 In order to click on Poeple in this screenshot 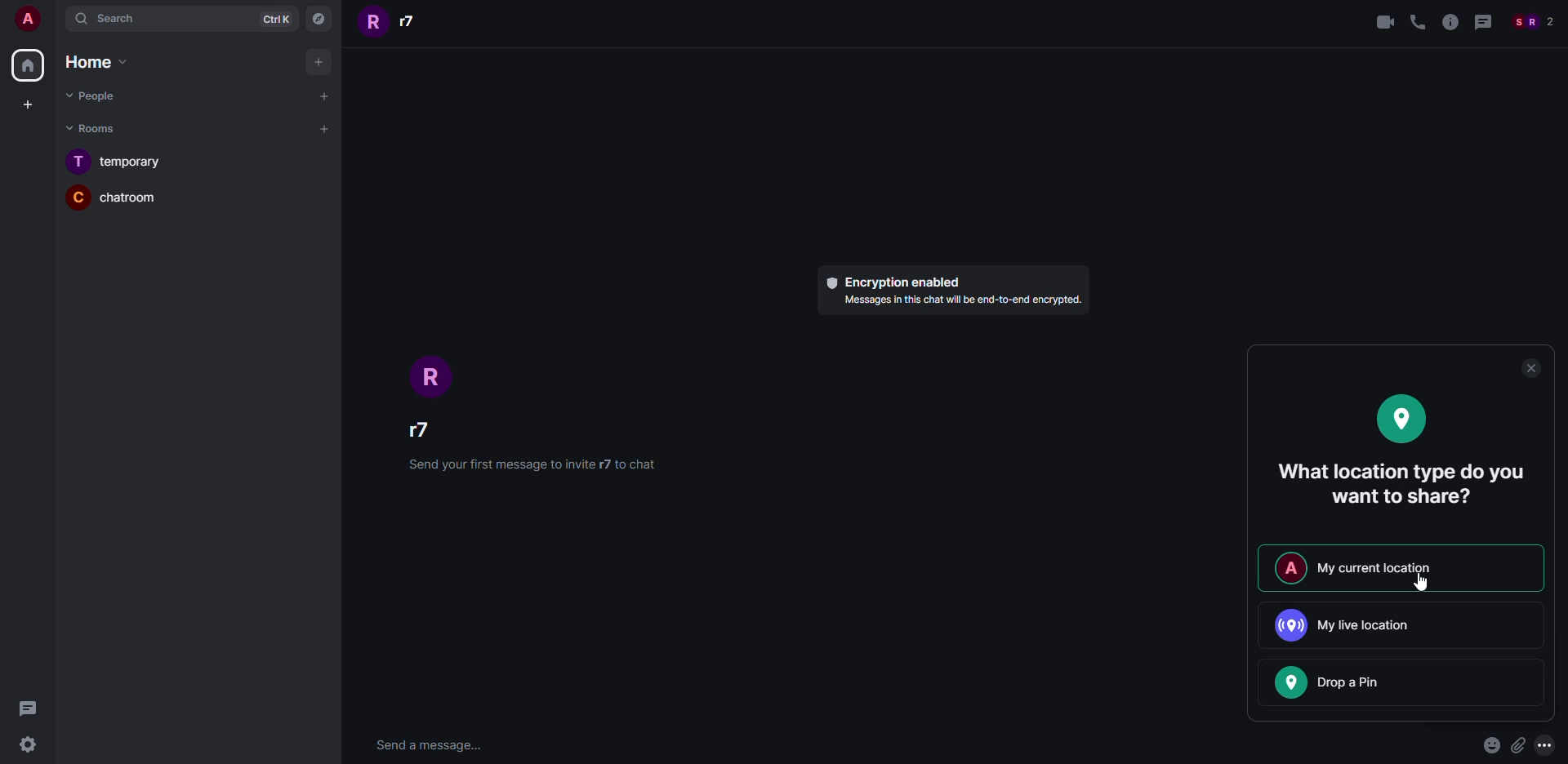, I will do `click(90, 95)`.